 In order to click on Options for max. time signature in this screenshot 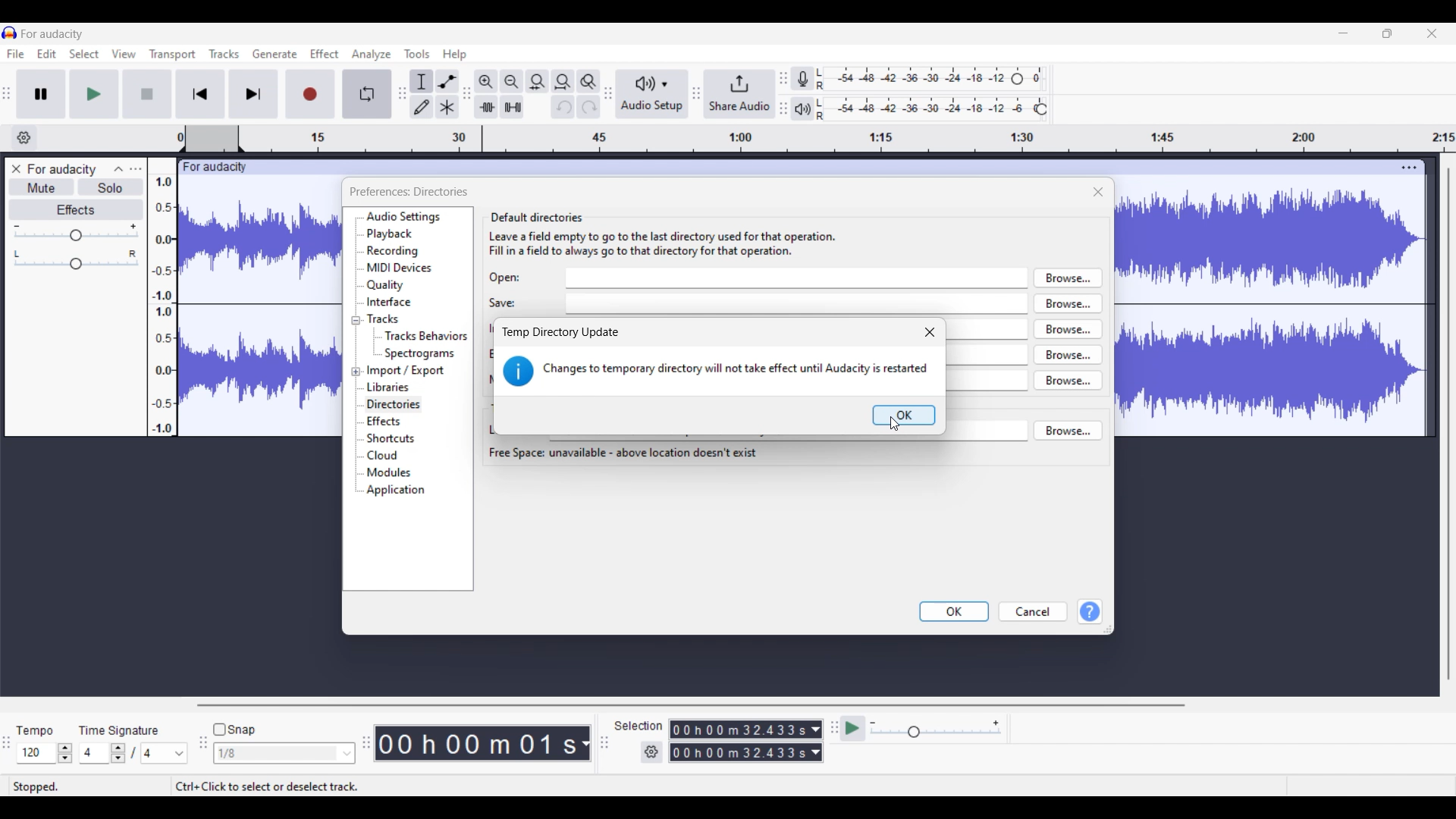, I will do `click(165, 753)`.